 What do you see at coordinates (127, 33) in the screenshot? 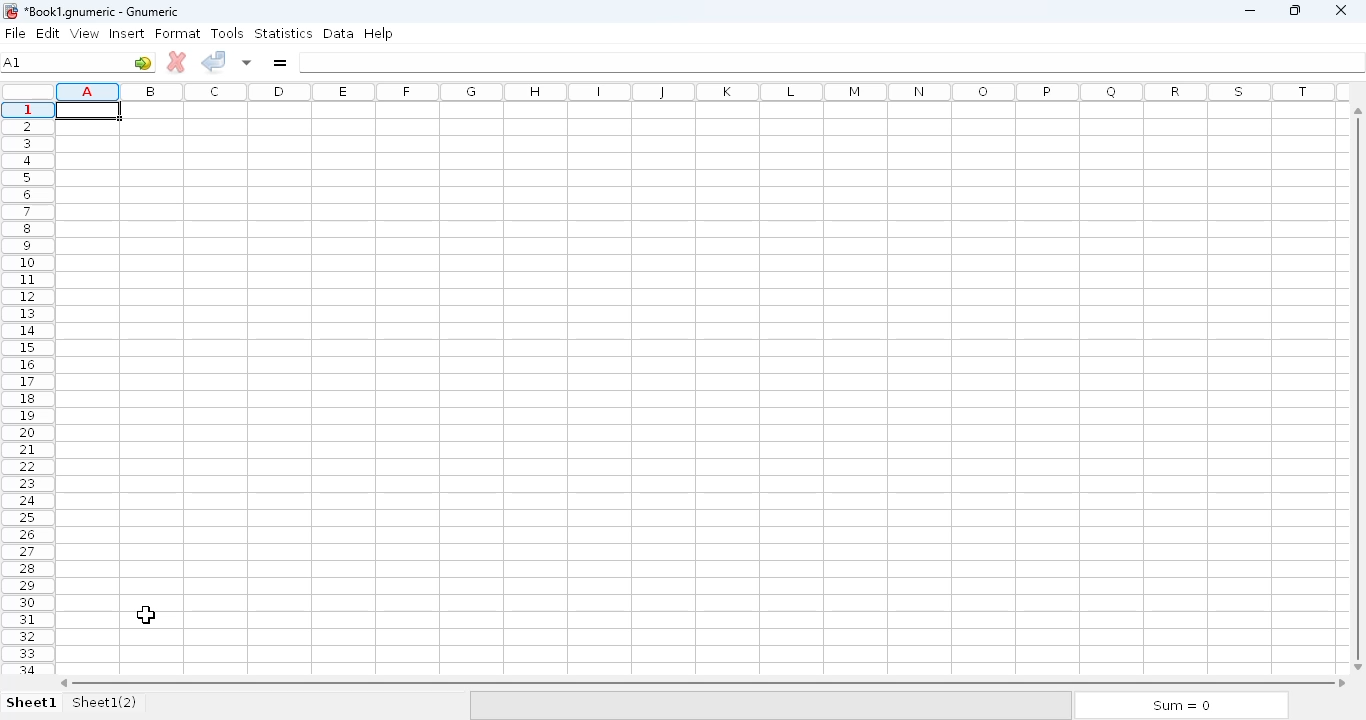
I see `insert` at bounding box center [127, 33].